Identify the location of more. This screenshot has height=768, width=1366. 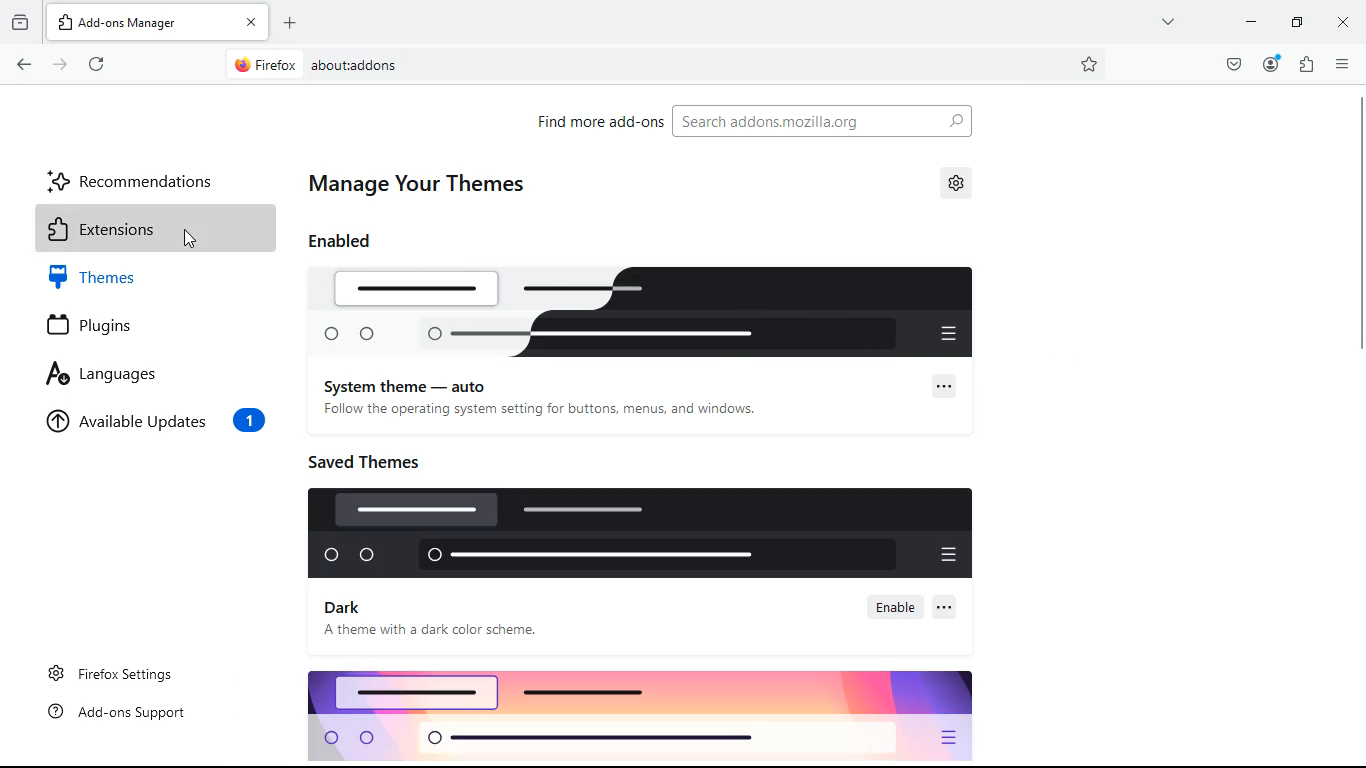
(946, 606).